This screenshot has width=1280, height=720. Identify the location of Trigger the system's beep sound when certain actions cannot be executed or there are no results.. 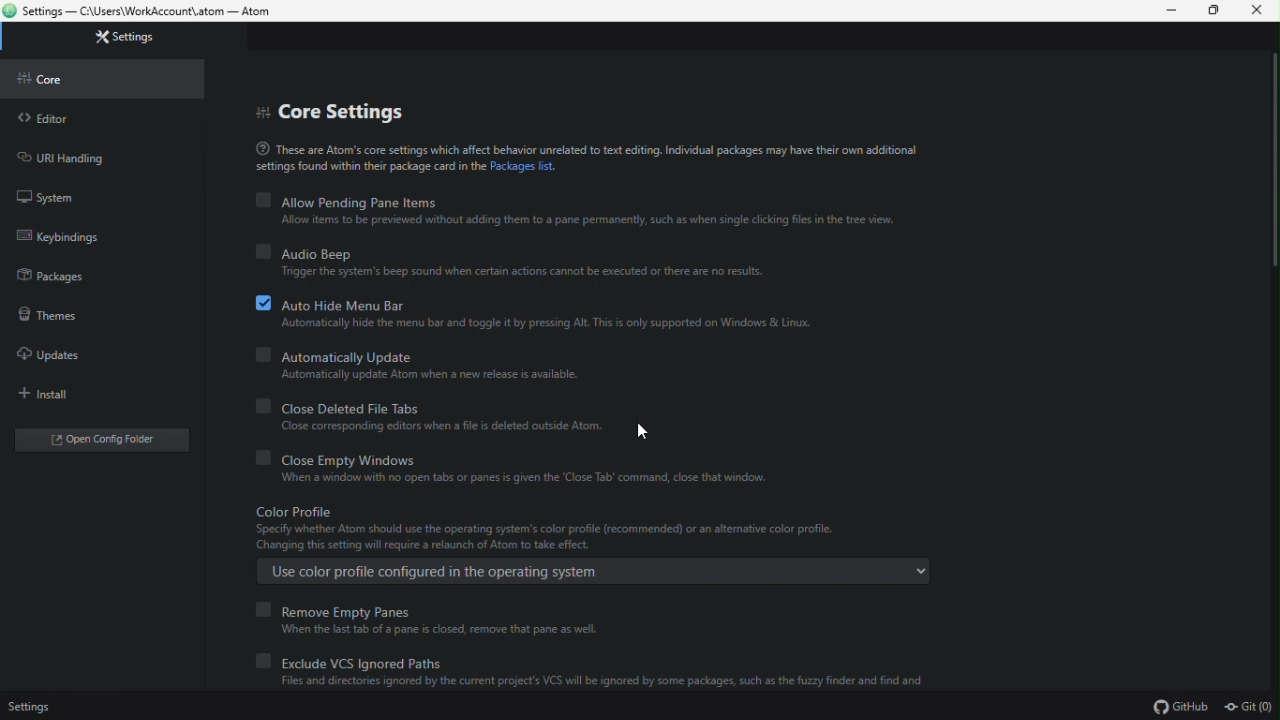
(520, 271).